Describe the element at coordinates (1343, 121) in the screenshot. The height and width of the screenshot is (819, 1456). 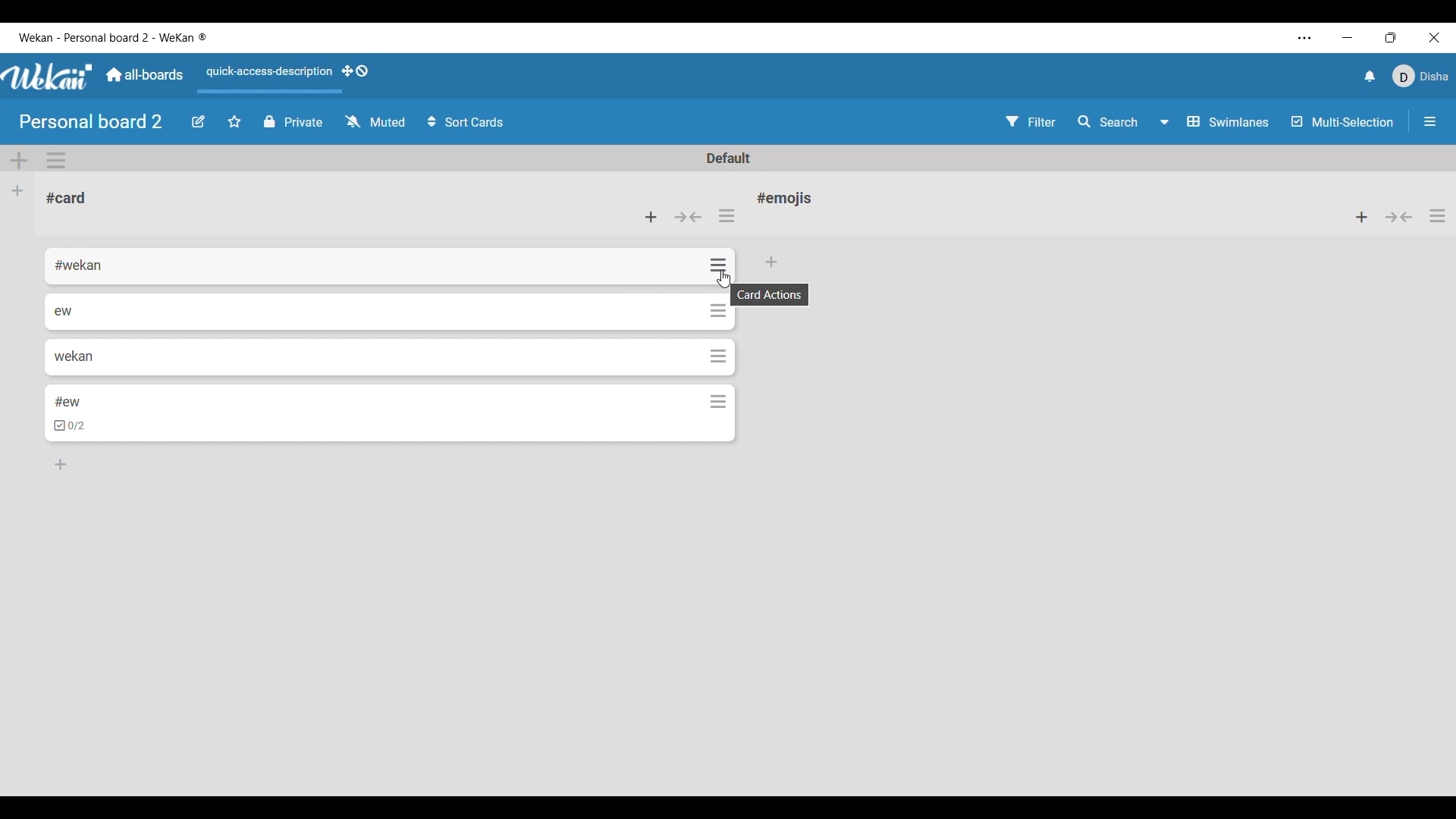
I see `Toggle for multi-selection` at that location.